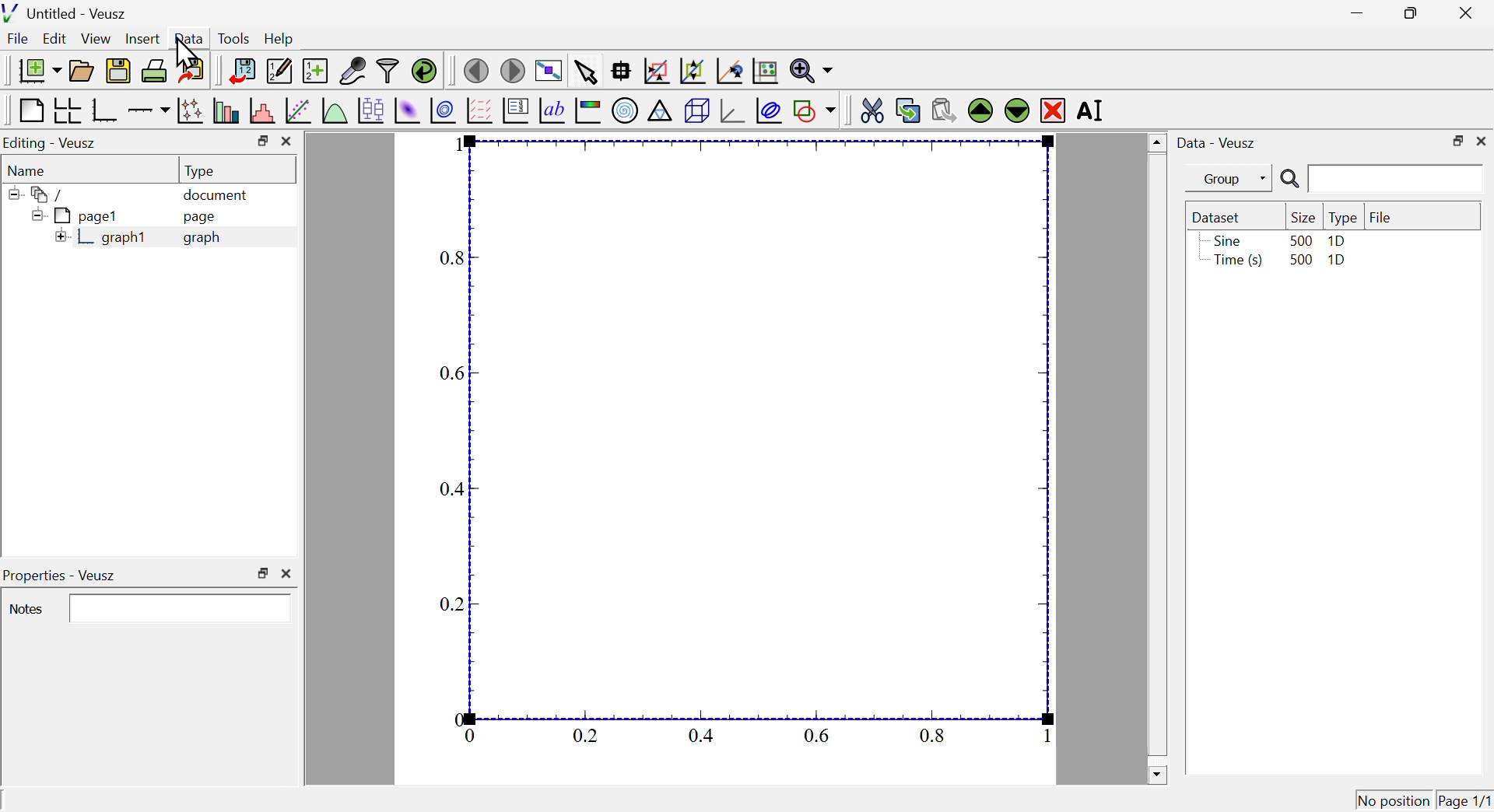 The width and height of the screenshot is (1494, 812). What do you see at coordinates (815, 110) in the screenshot?
I see `add a shape to the plot` at bounding box center [815, 110].